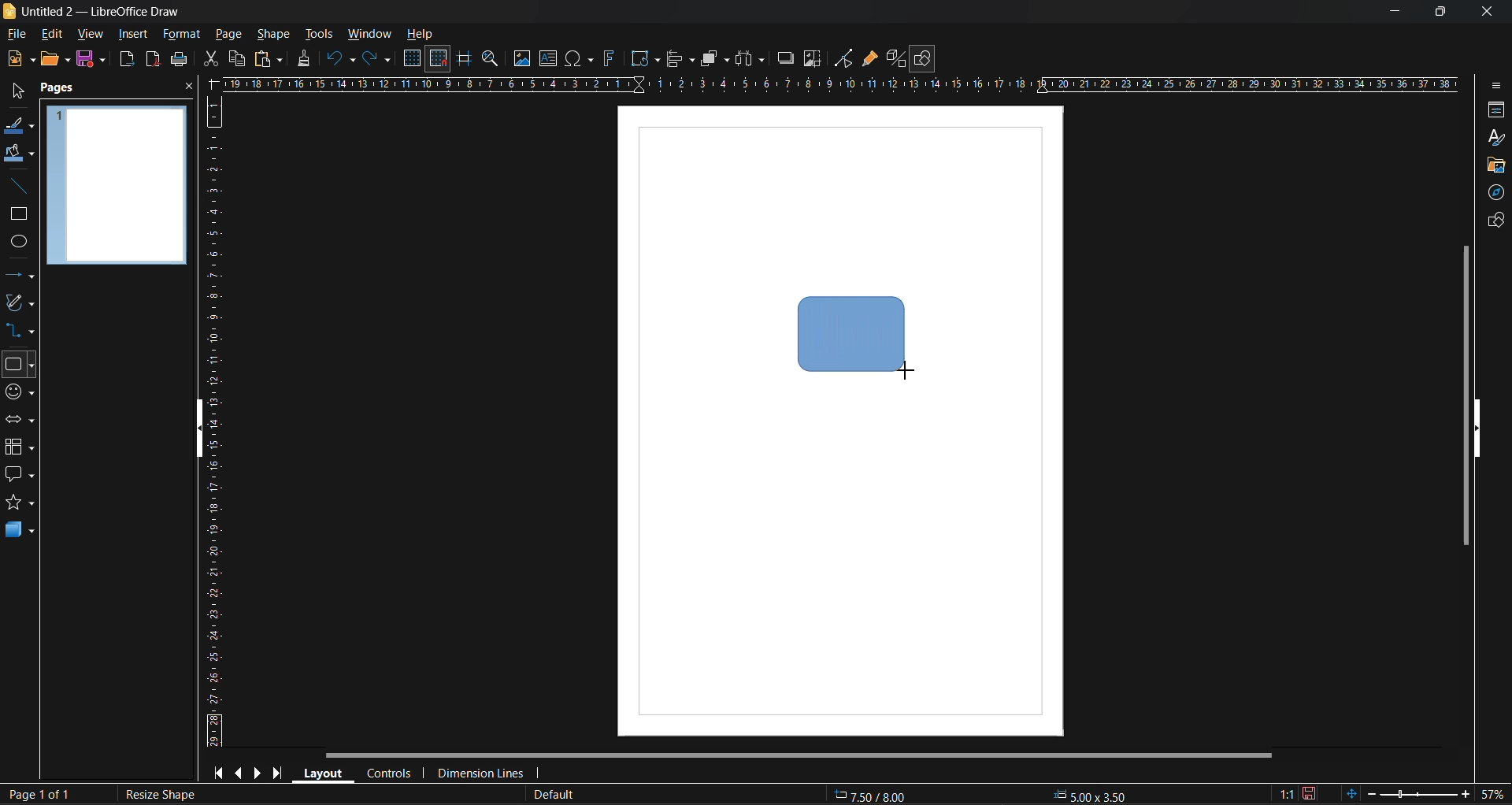  Describe the element at coordinates (237, 771) in the screenshot. I see `previous` at that location.